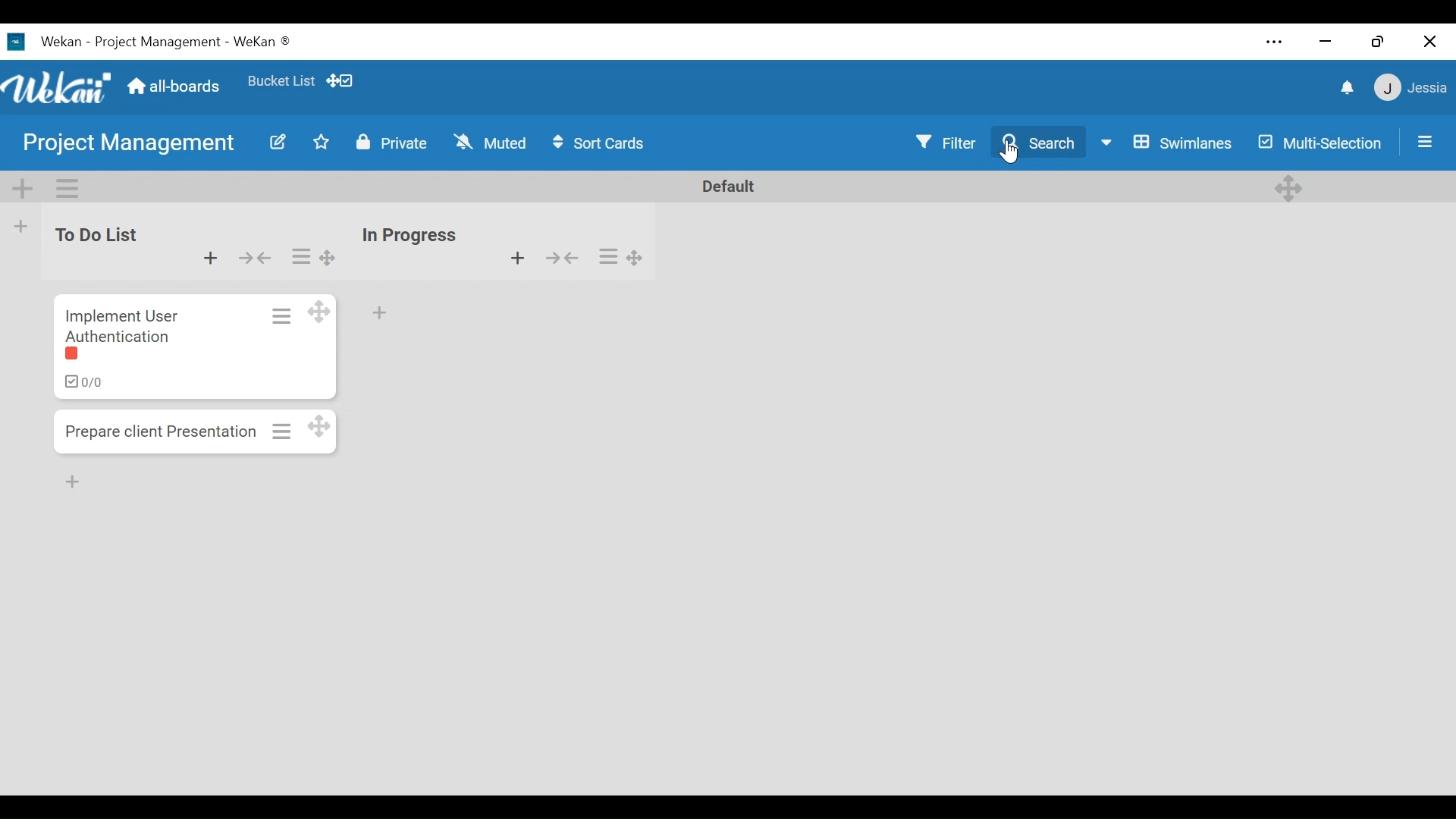 This screenshot has height=819, width=1456. Describe the element at coordinates (78, 356) in the screenshot. I see `label` at that location.